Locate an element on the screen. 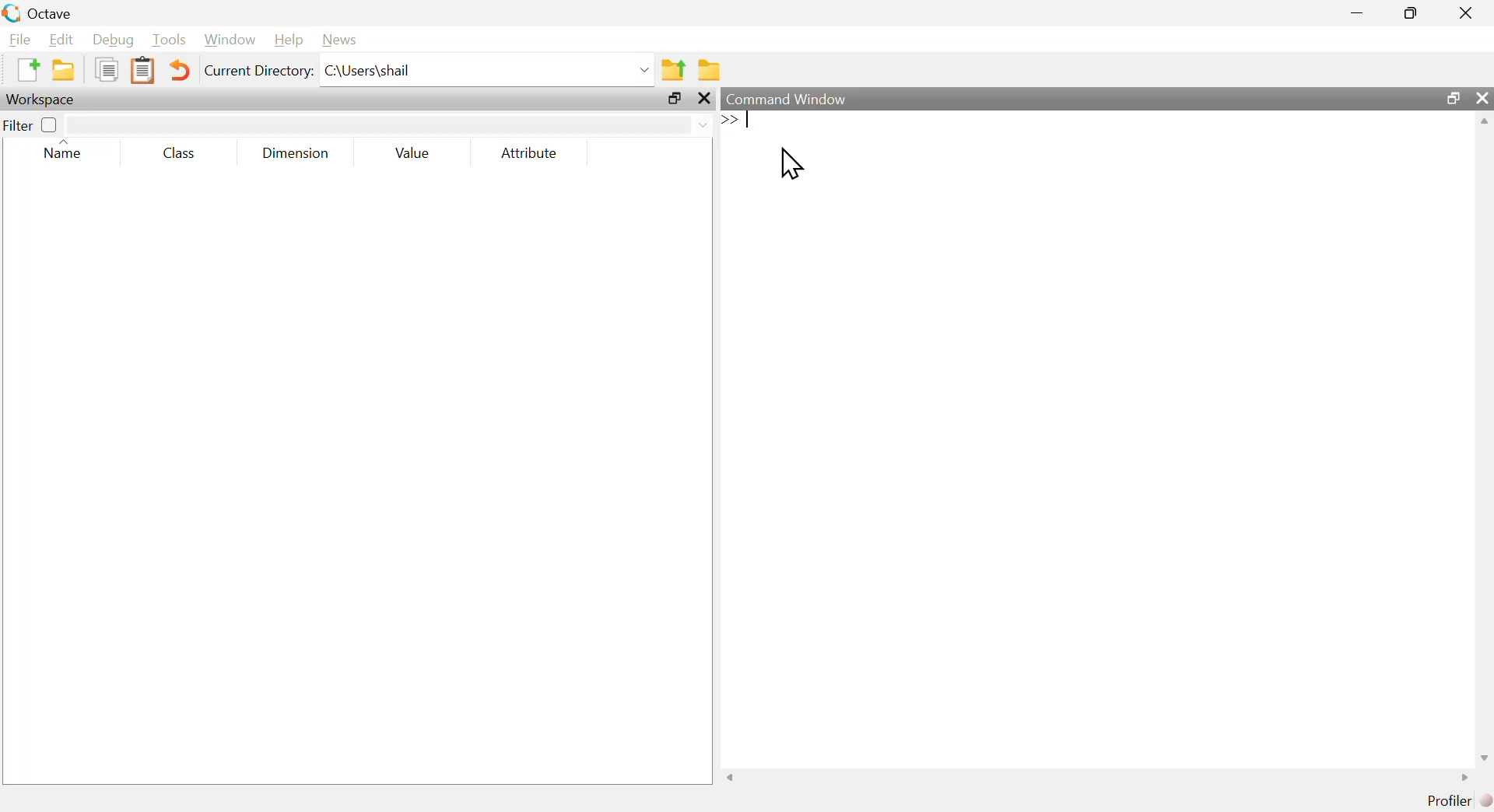 This screenshot has height=812, width=1494. workspace is located at coordinates (46, 100).